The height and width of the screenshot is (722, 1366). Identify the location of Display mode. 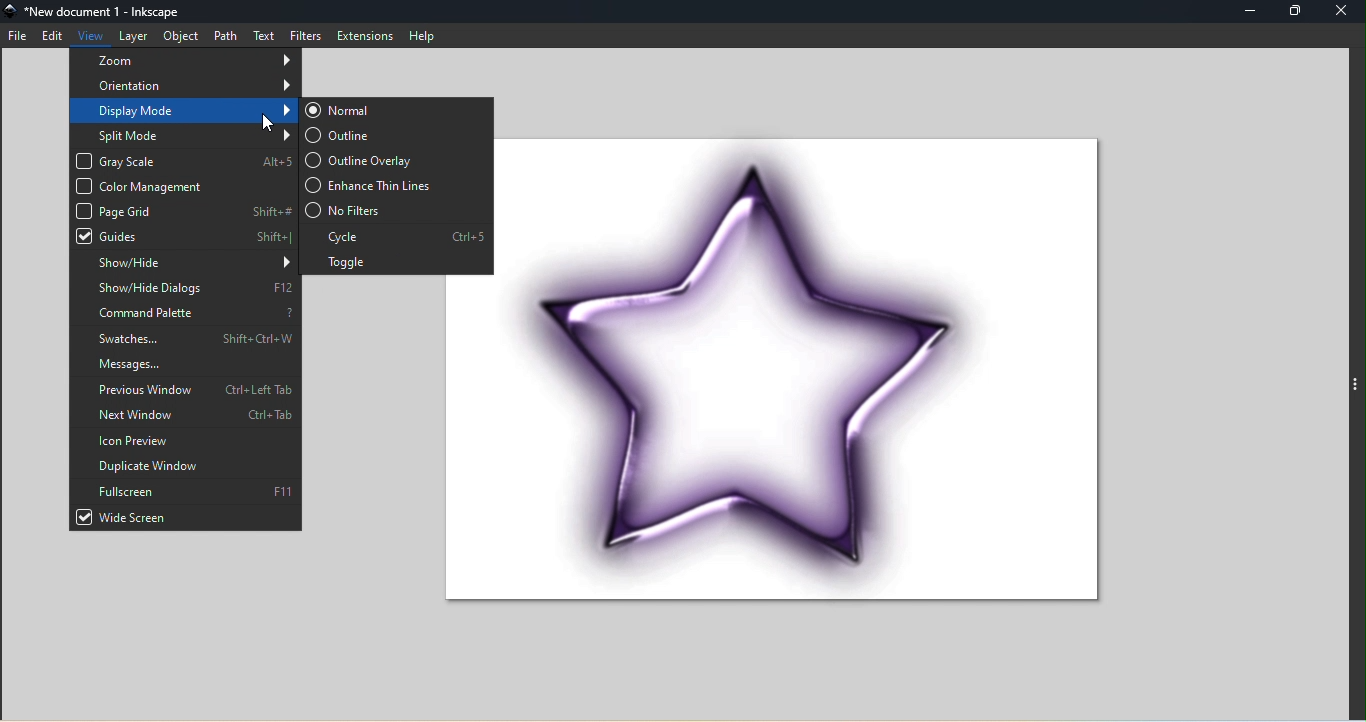
(181, 112).